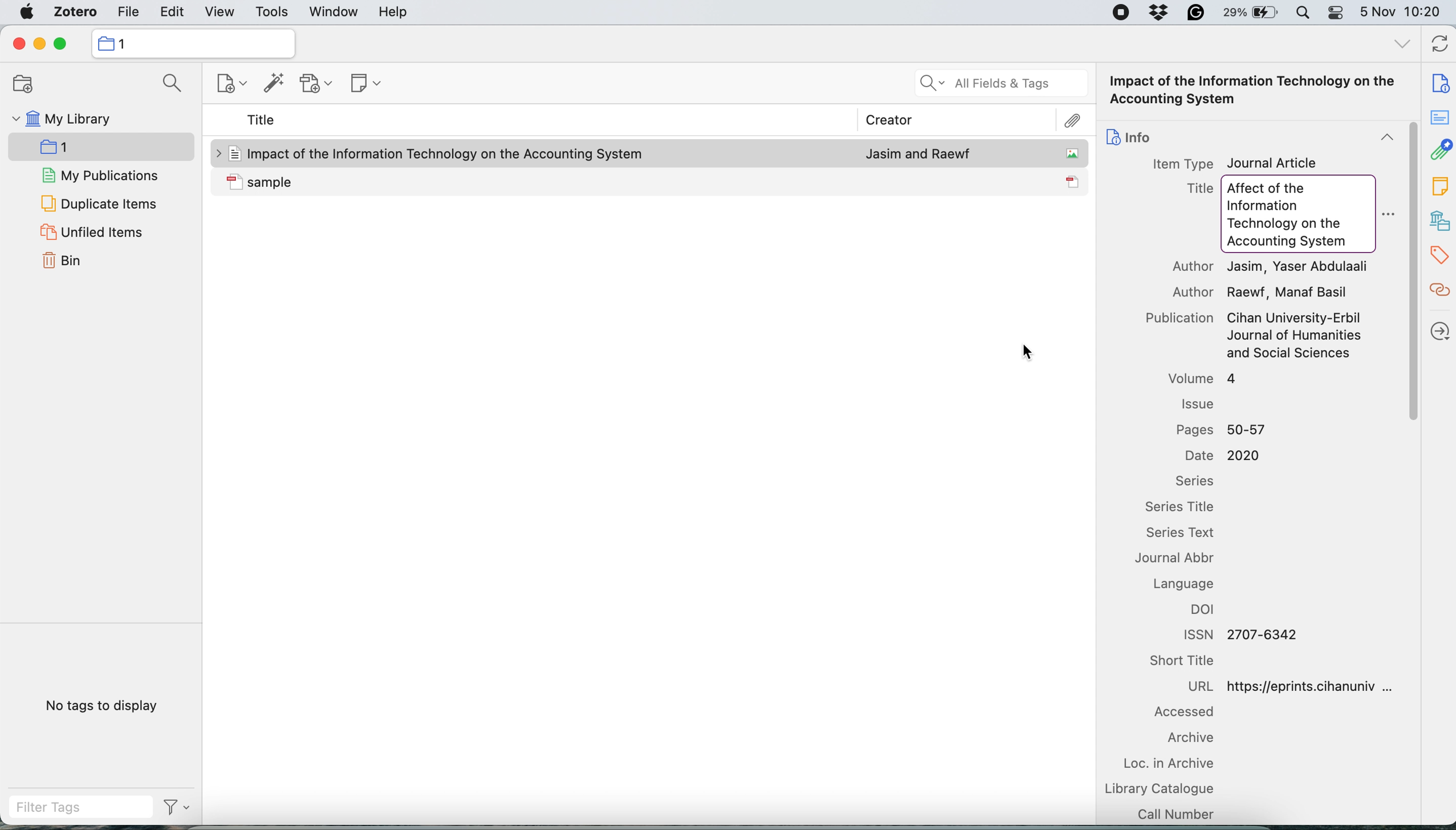  What do you see at coordinates (1439, 150) in the screenshot?
I see `attachment` at bounding box center [1439, 150].